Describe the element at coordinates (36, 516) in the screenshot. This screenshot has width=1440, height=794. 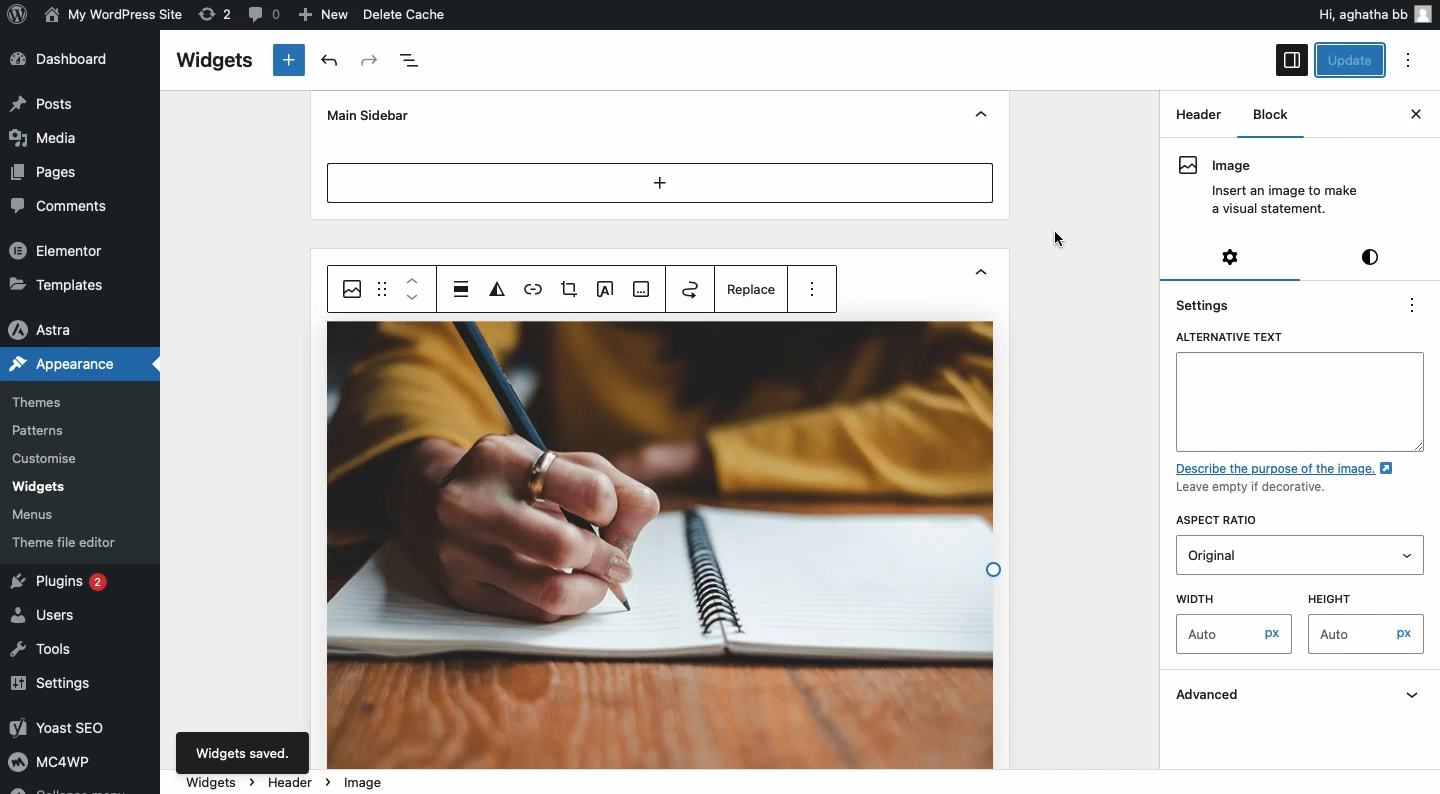
I see `Menus` at that location.